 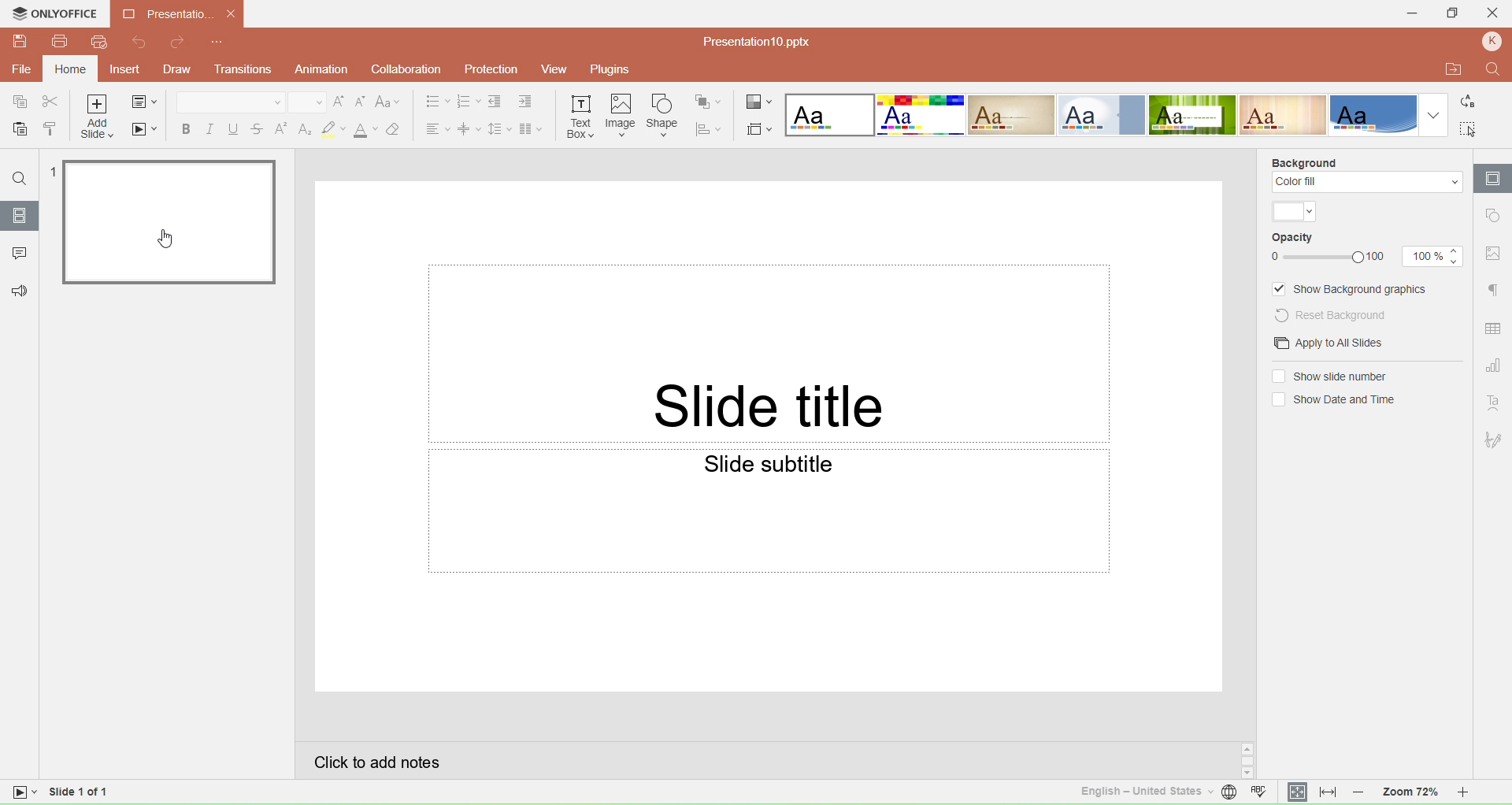 What do you see at coordinates (56, 16) in the screenshot?
I see `Only office` at bounding box center [56, 16].